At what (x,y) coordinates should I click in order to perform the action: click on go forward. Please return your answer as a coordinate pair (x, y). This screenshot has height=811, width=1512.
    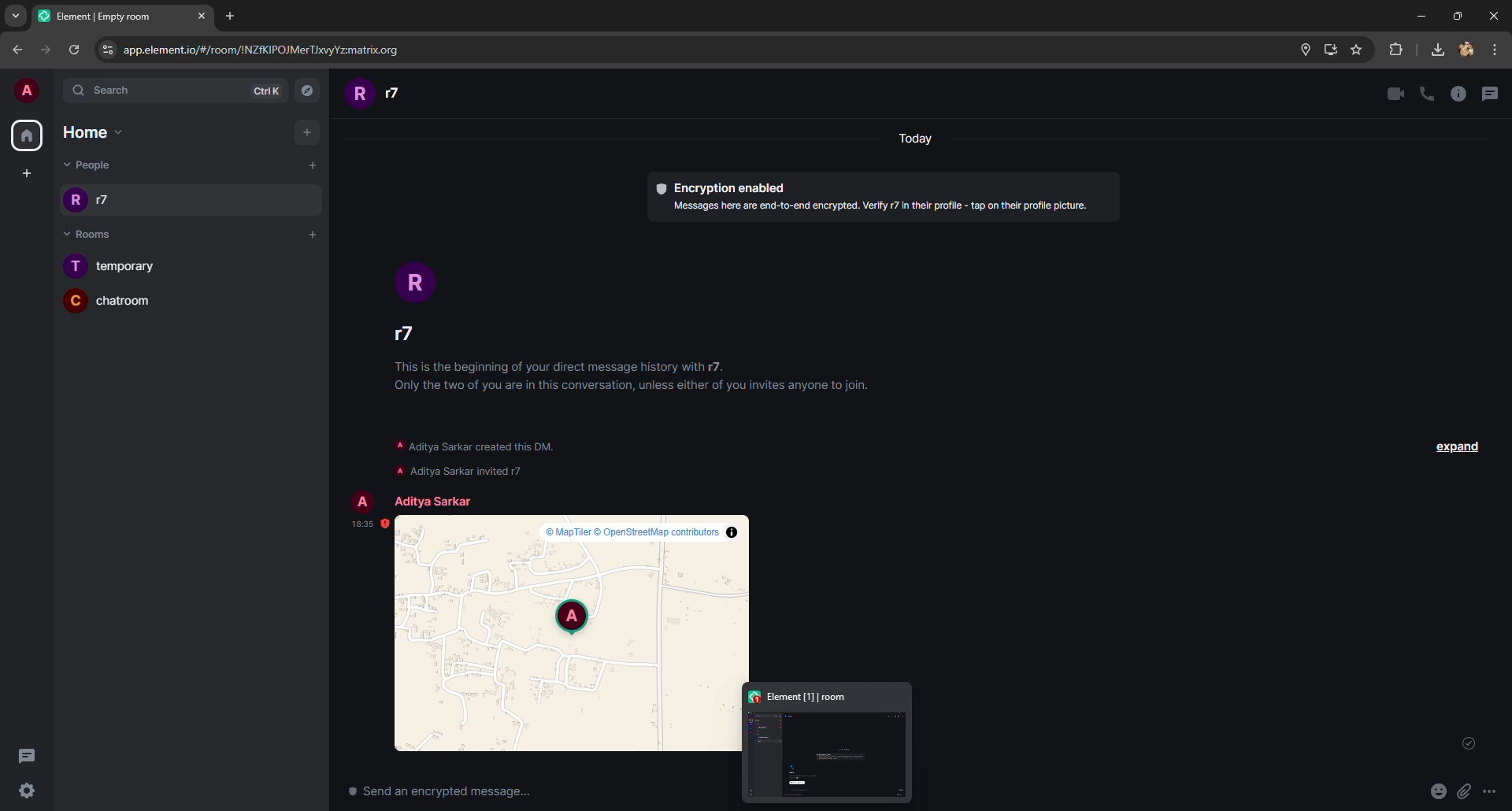
    Looking at the image, I should click on (45, 50).